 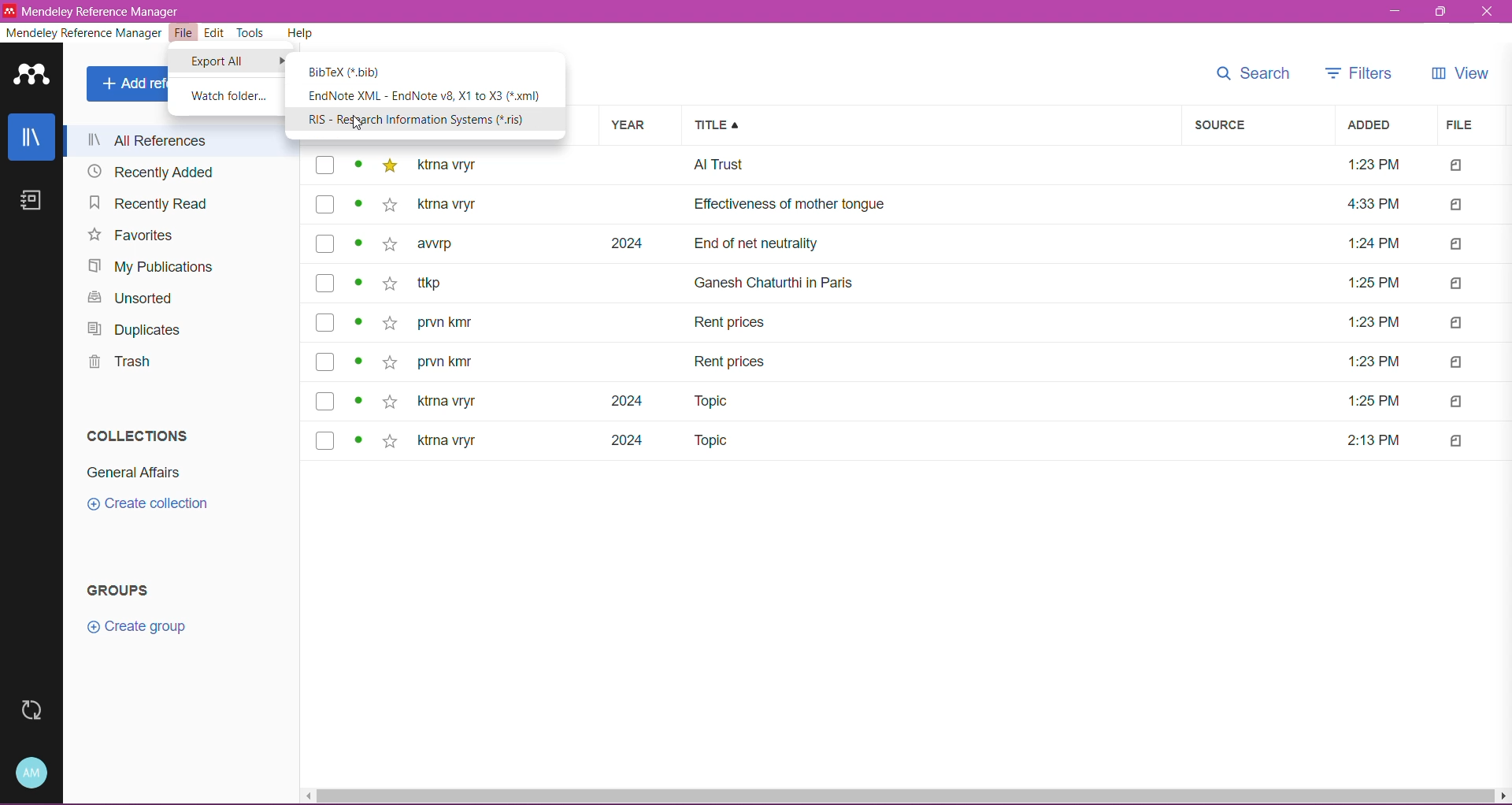 What do you see at coordinates (1260, 125) in the screenshot?
I see `Source` at bounding box center [1260, 125].